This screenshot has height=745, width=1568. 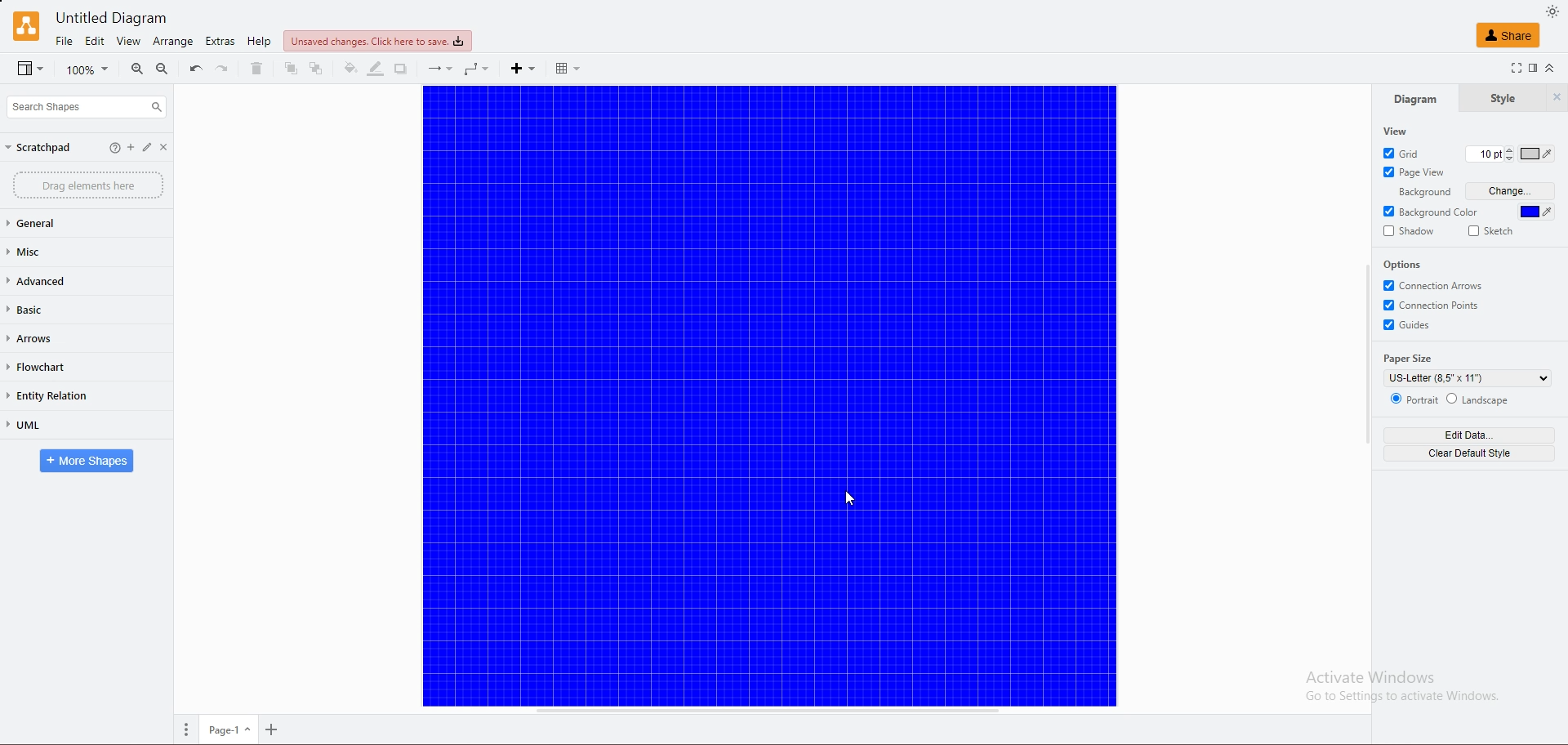 I want to click on insert, so click(x=523, y=69).